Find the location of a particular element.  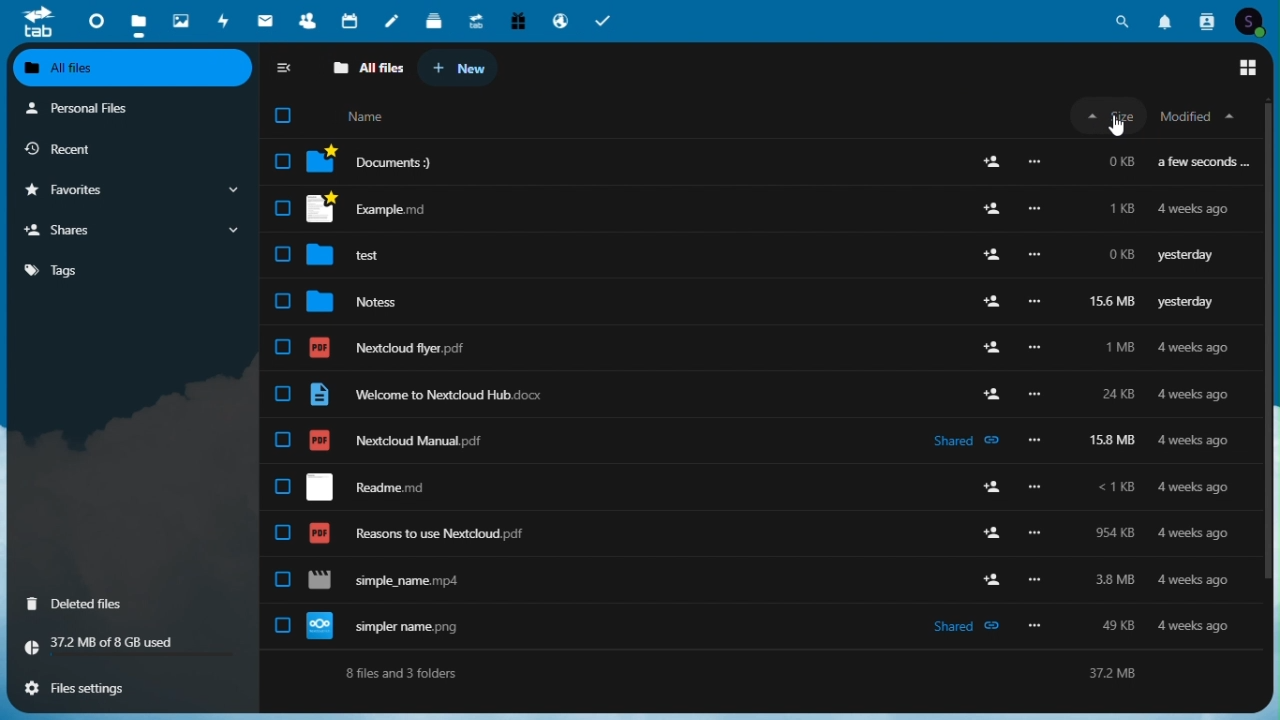

simpler name png is located at coordinates (763, 628).